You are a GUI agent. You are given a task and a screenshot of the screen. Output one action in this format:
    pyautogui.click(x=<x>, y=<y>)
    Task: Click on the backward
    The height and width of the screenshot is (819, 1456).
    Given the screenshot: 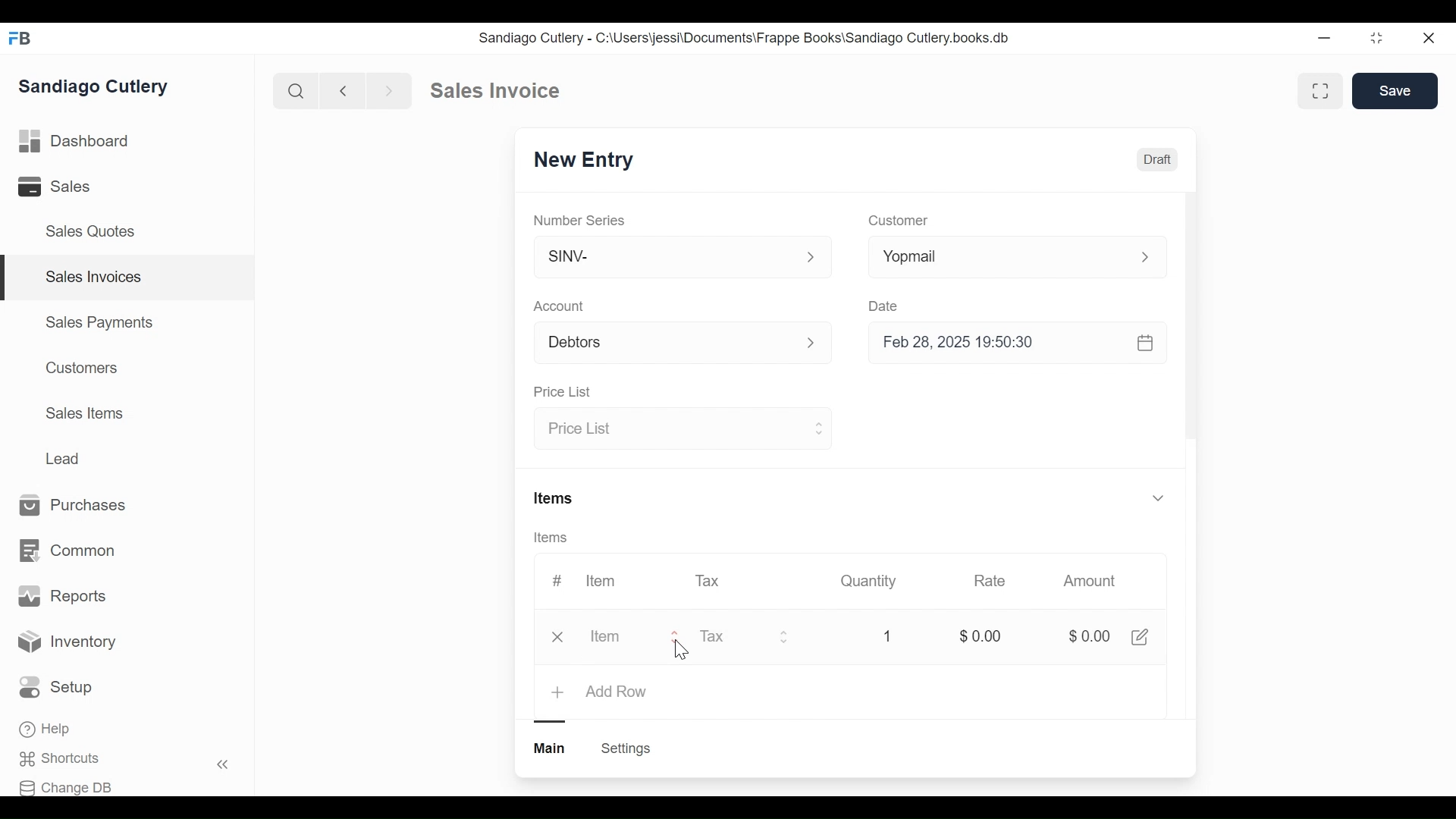 What is the action you would take?
    pyautogui.click(x=344, y=90)
    